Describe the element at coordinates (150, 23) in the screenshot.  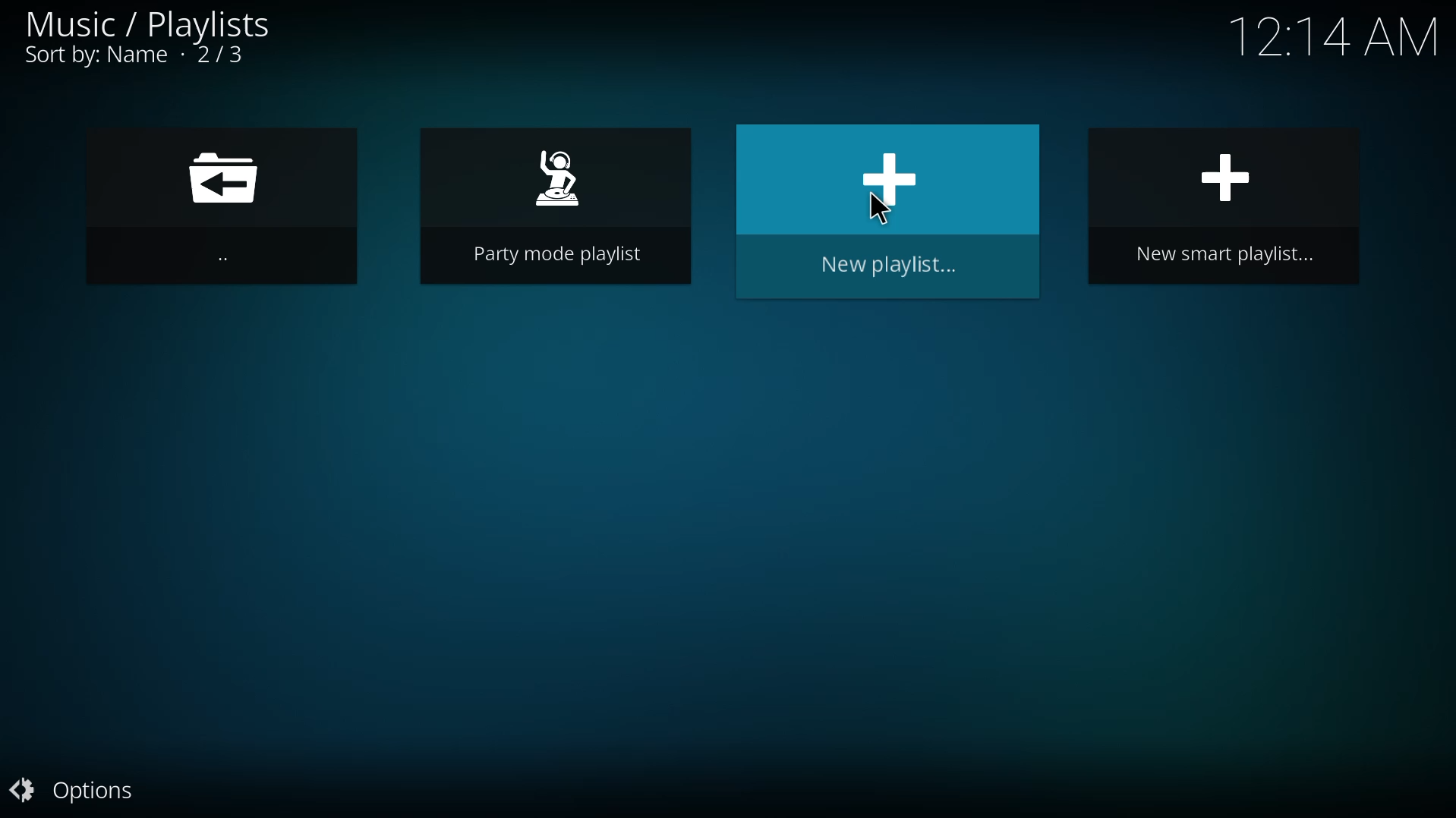
I see `music playlist` at that location.